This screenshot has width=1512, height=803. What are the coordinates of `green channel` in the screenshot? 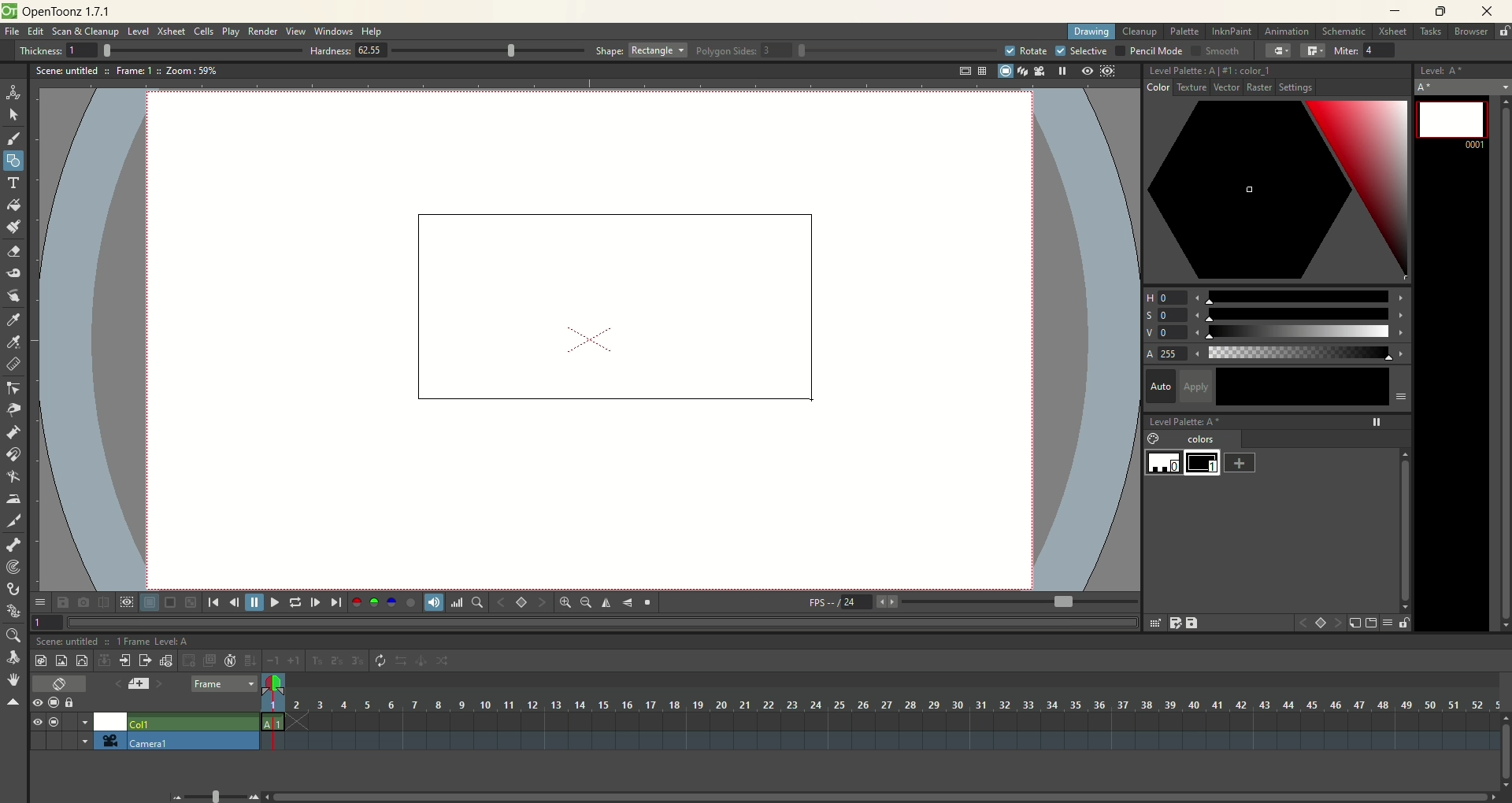 It's located at (375, 602).